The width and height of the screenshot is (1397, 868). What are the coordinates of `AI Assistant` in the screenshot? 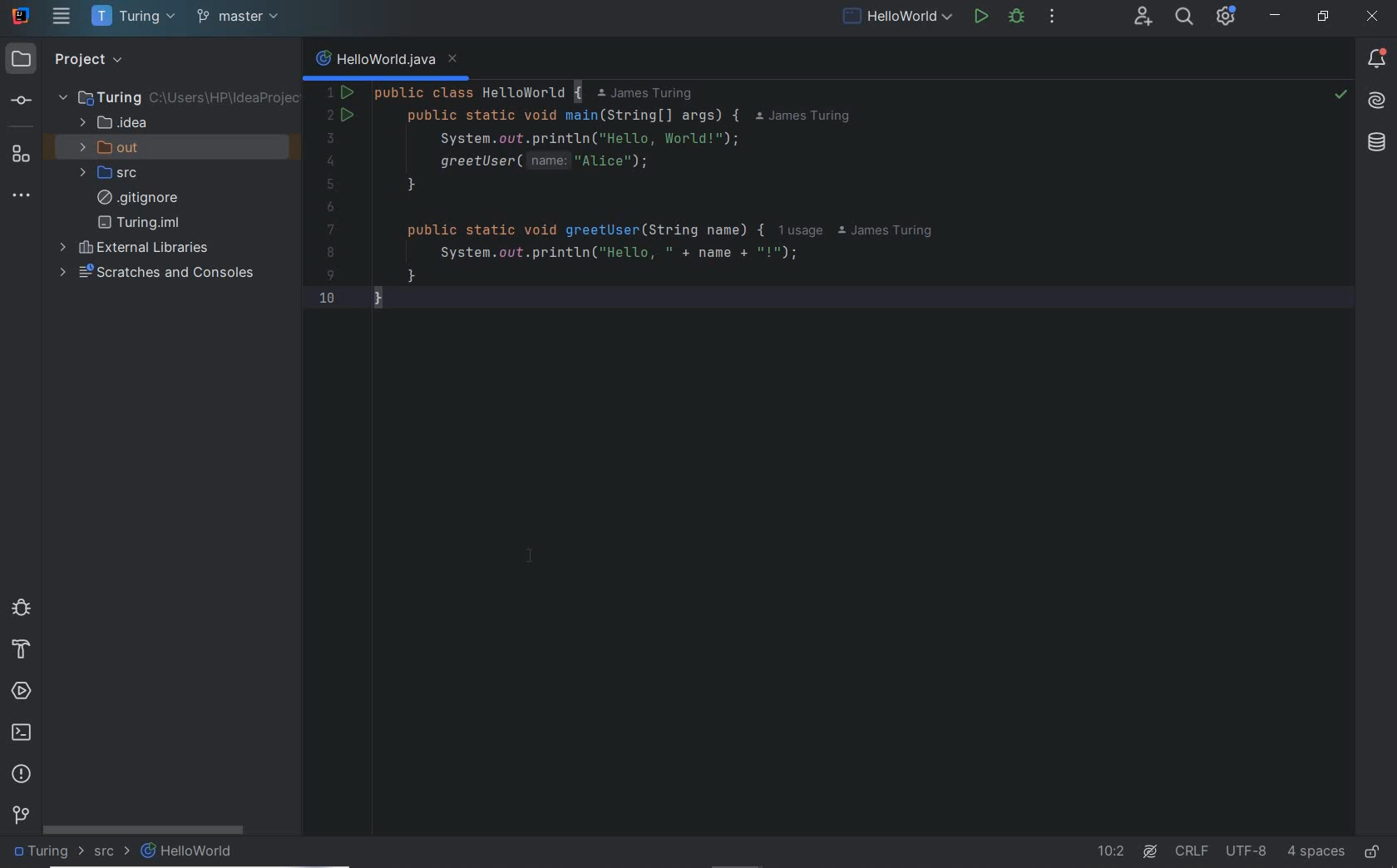 It's located at (1153, 851).